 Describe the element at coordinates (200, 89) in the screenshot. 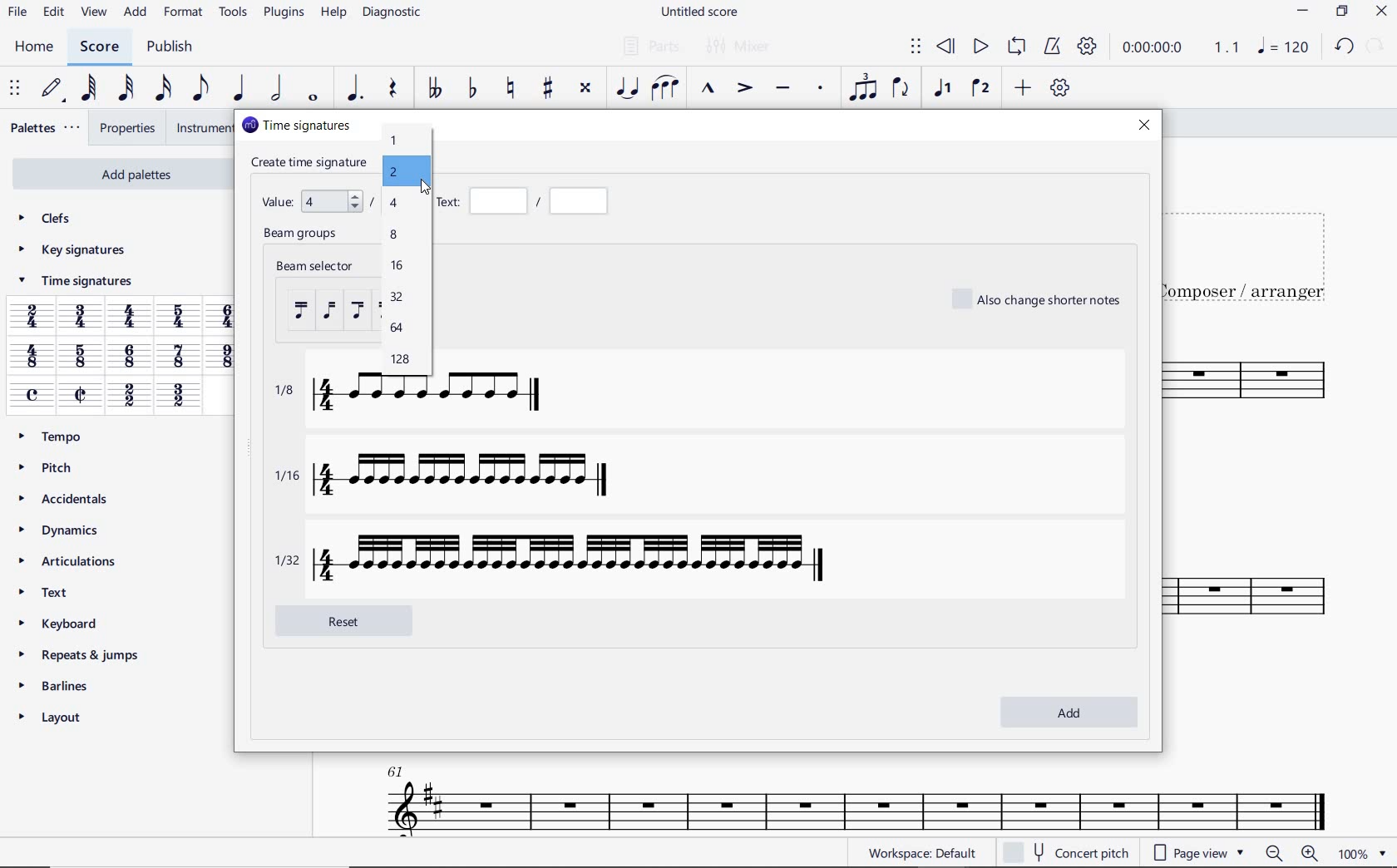

I see `EIGHTH NOTE` at that location.